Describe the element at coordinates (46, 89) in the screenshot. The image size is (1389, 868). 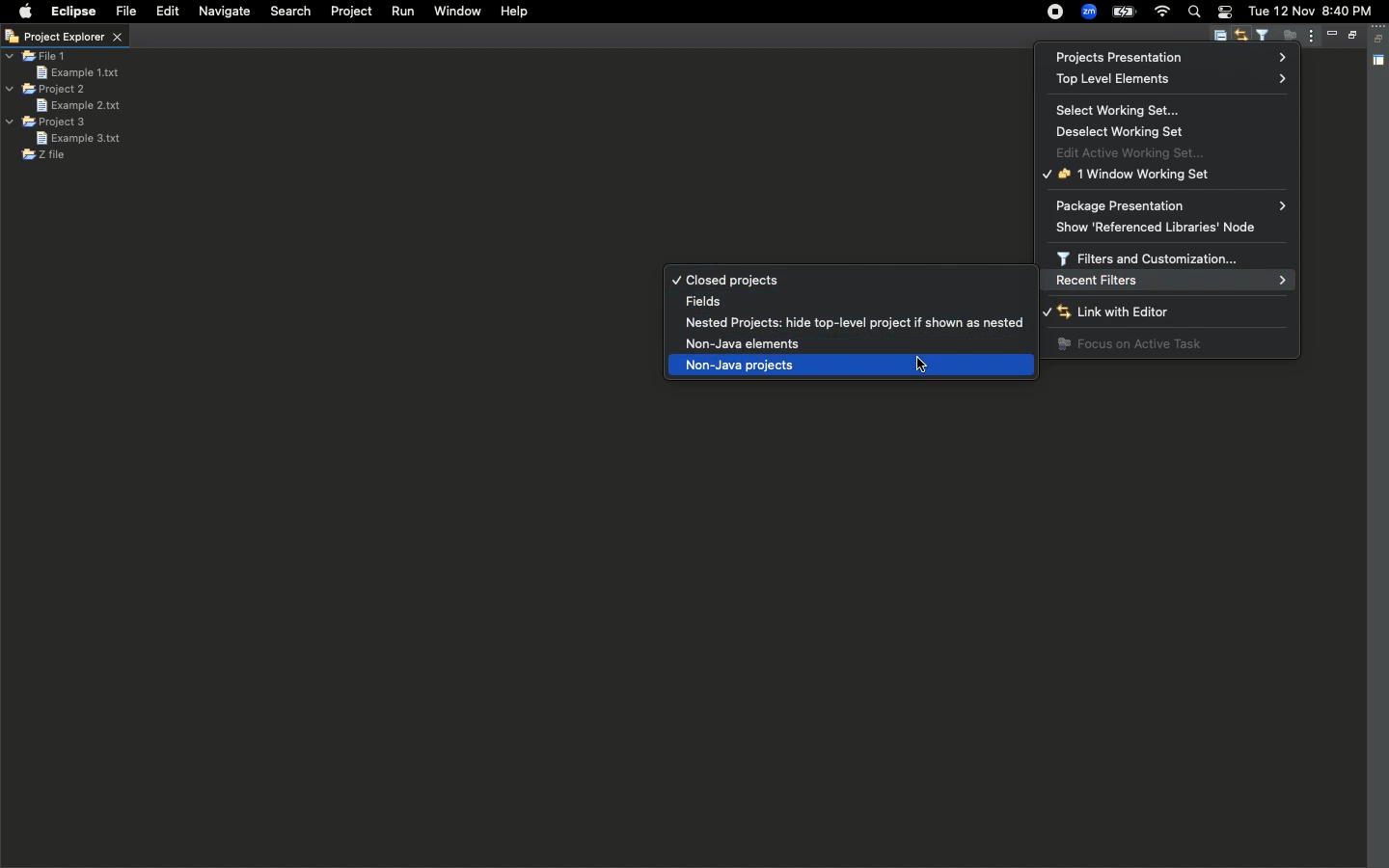
I see `Project 2` at that location.